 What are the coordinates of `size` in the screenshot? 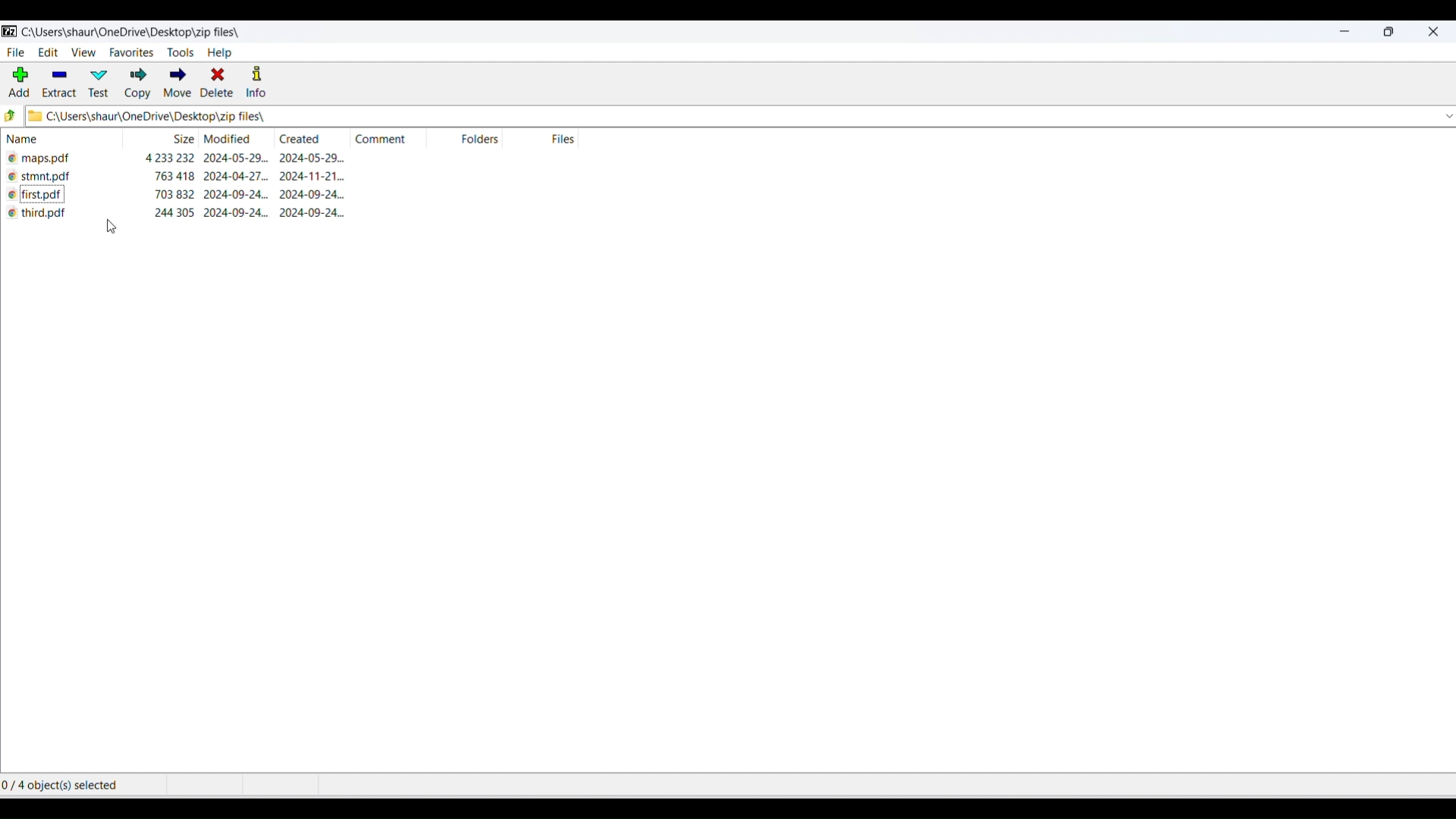 It's located at (180, 140).